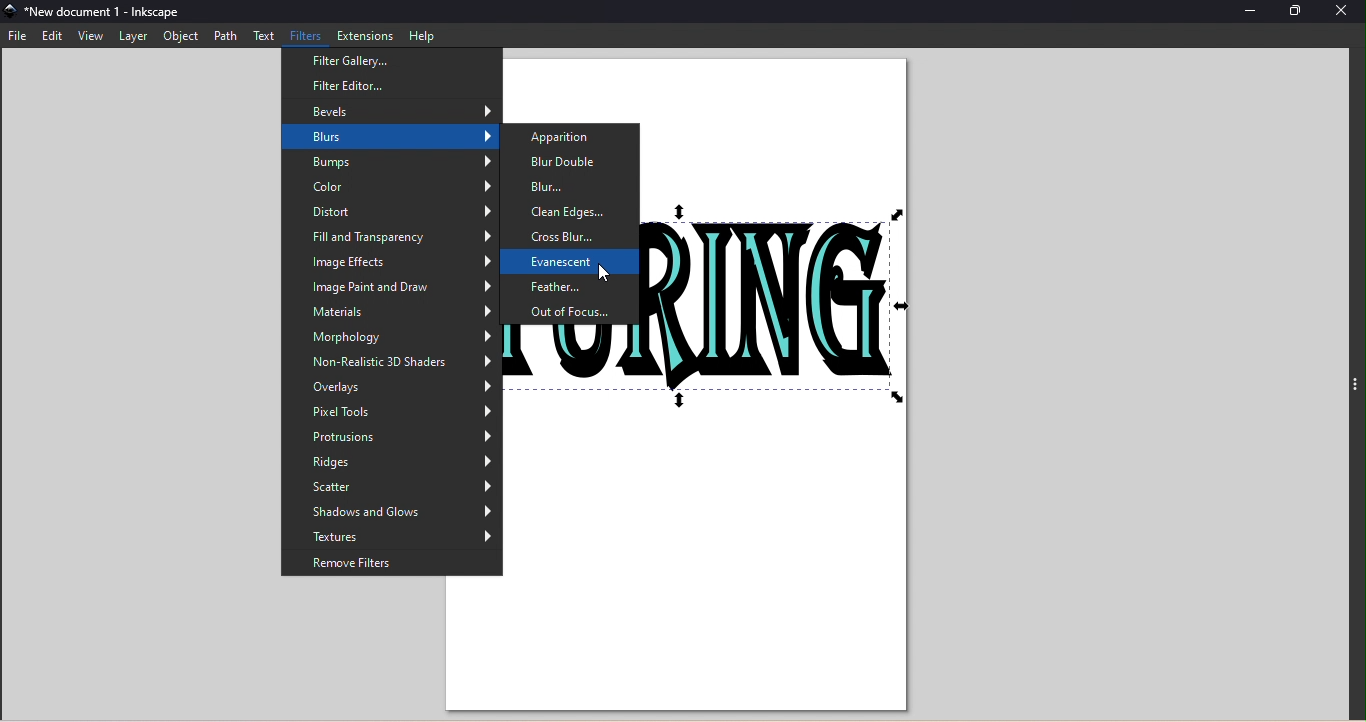 This screenshot has width=1366, height=722. I want to click on Image effects, so click(396, 262).